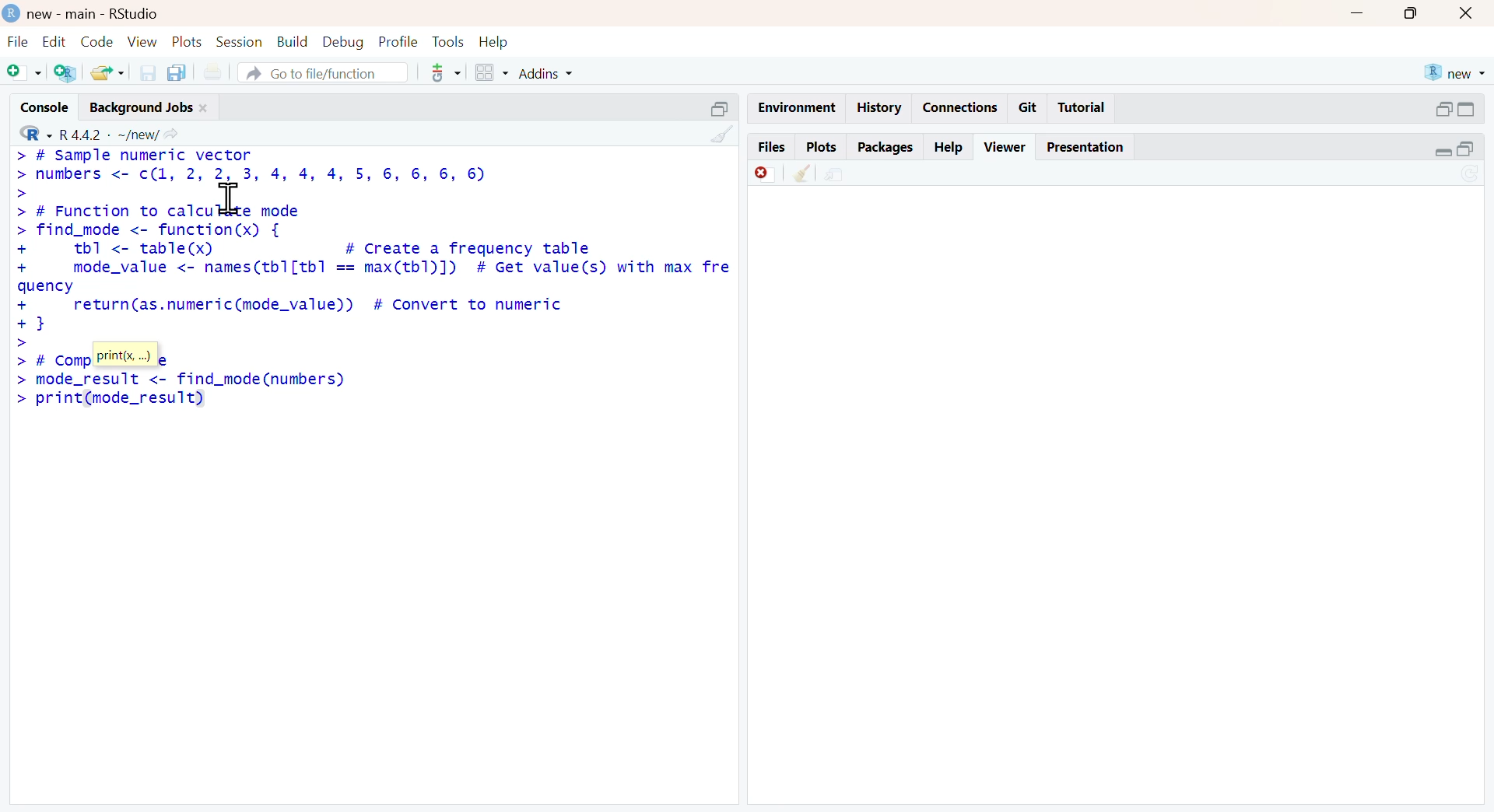 The width and height of the screenshot is (1494, 812). Describe the element at coordinates (180, 391) in the screenshot. I see `> mode_result <- Tind_mode (numbers)
> print(mode_result)` at that location.